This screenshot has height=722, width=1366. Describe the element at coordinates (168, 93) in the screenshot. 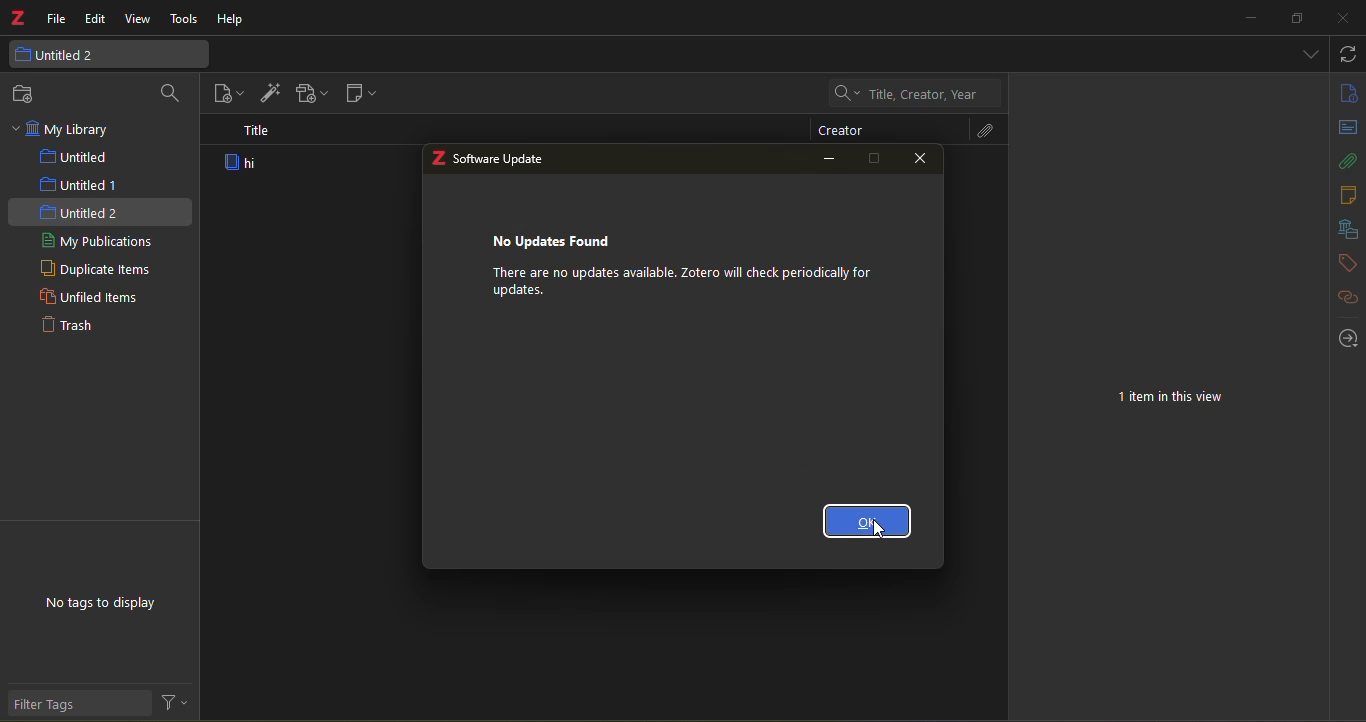

I see `search` at that location.